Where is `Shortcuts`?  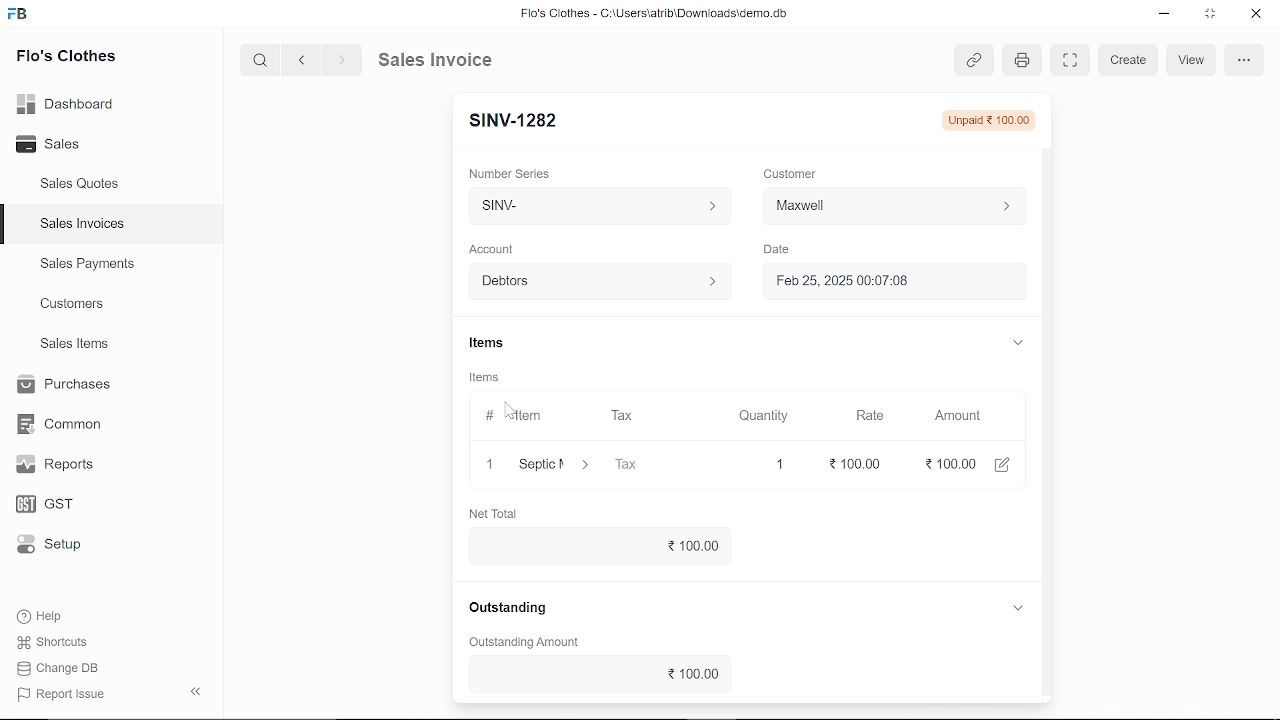
Shortcuts is located at coordinates (54, 642).